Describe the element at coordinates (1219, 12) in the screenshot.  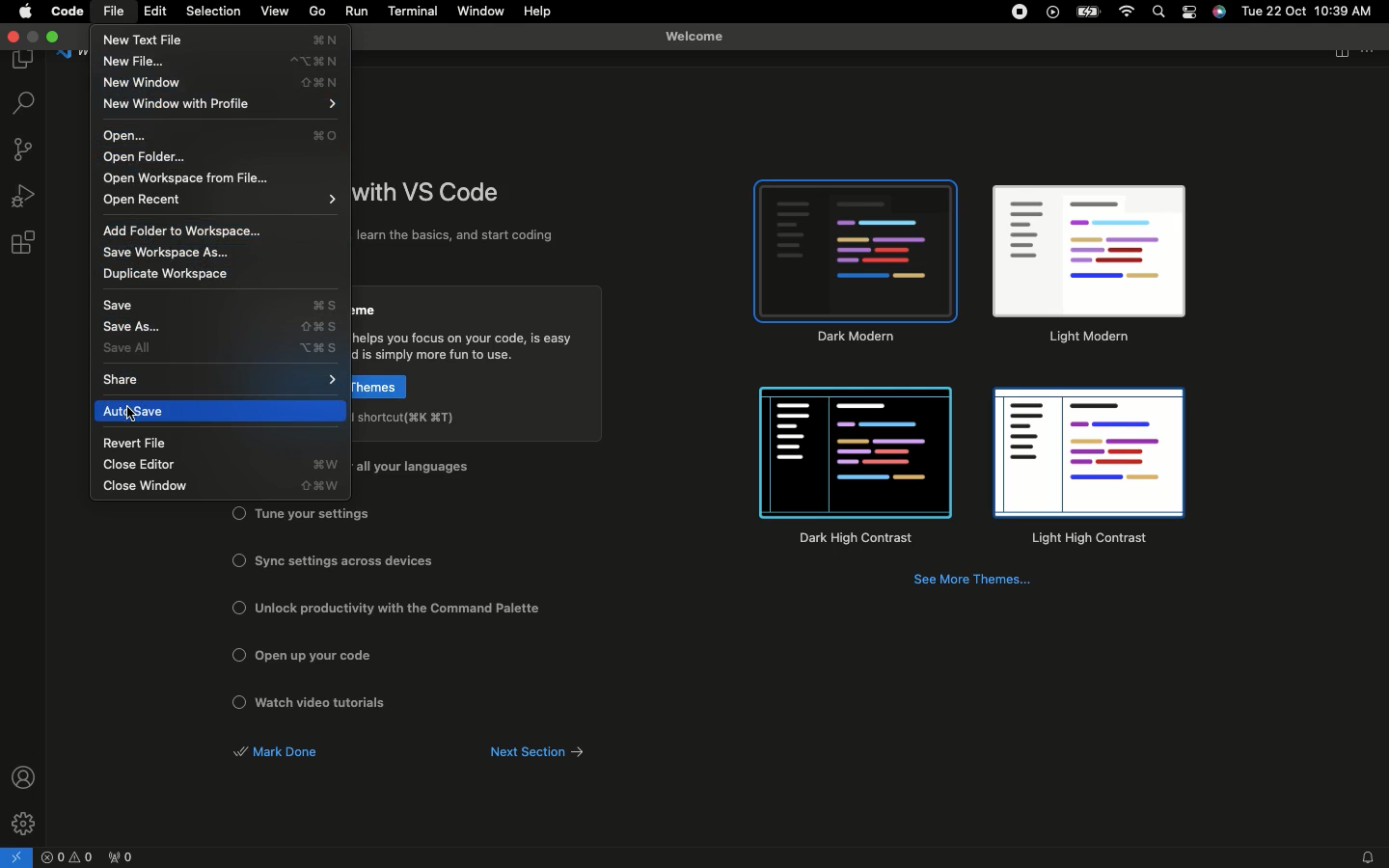
I see `Voice control` at that location.